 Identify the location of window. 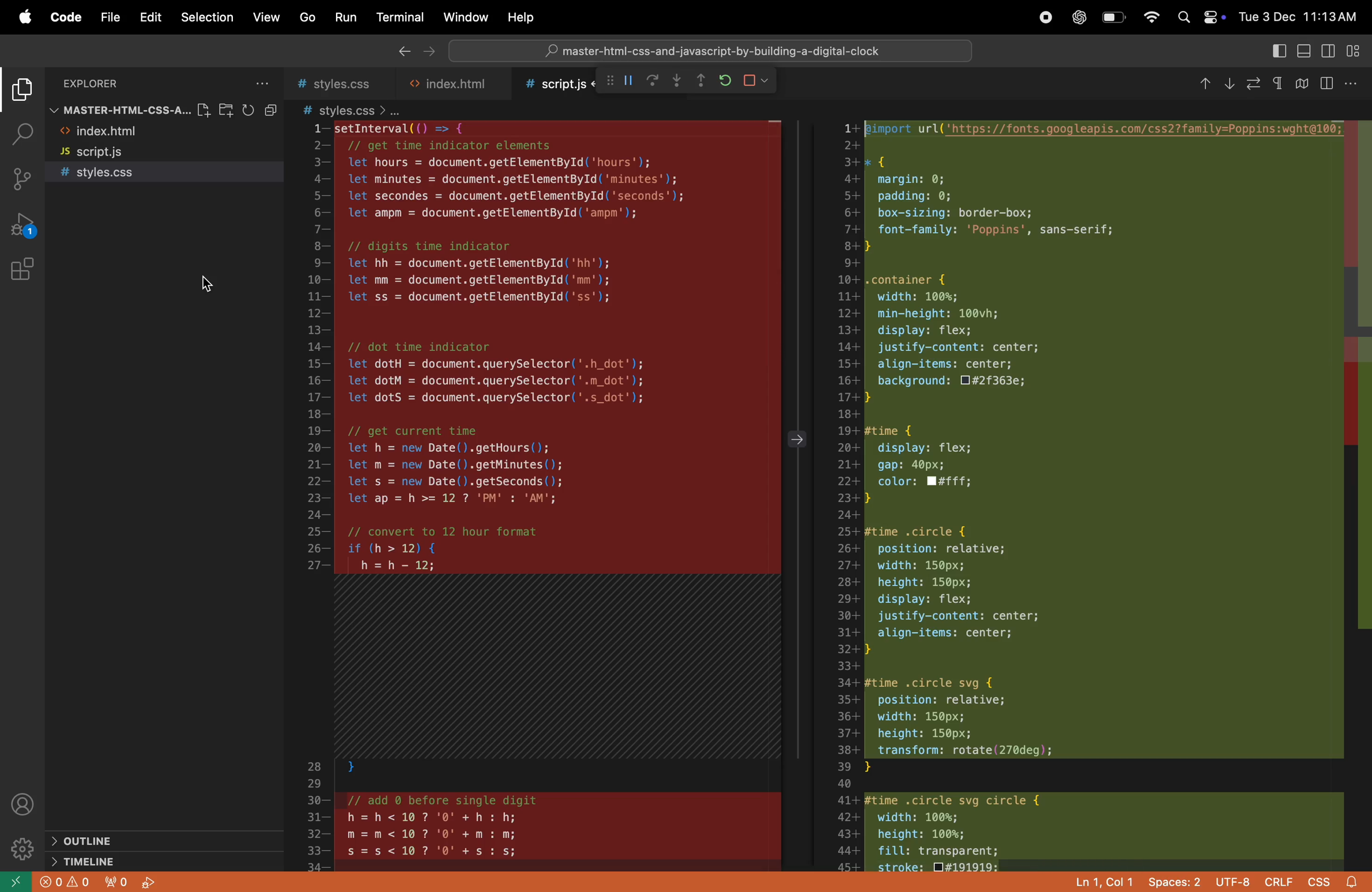
(466, 14).